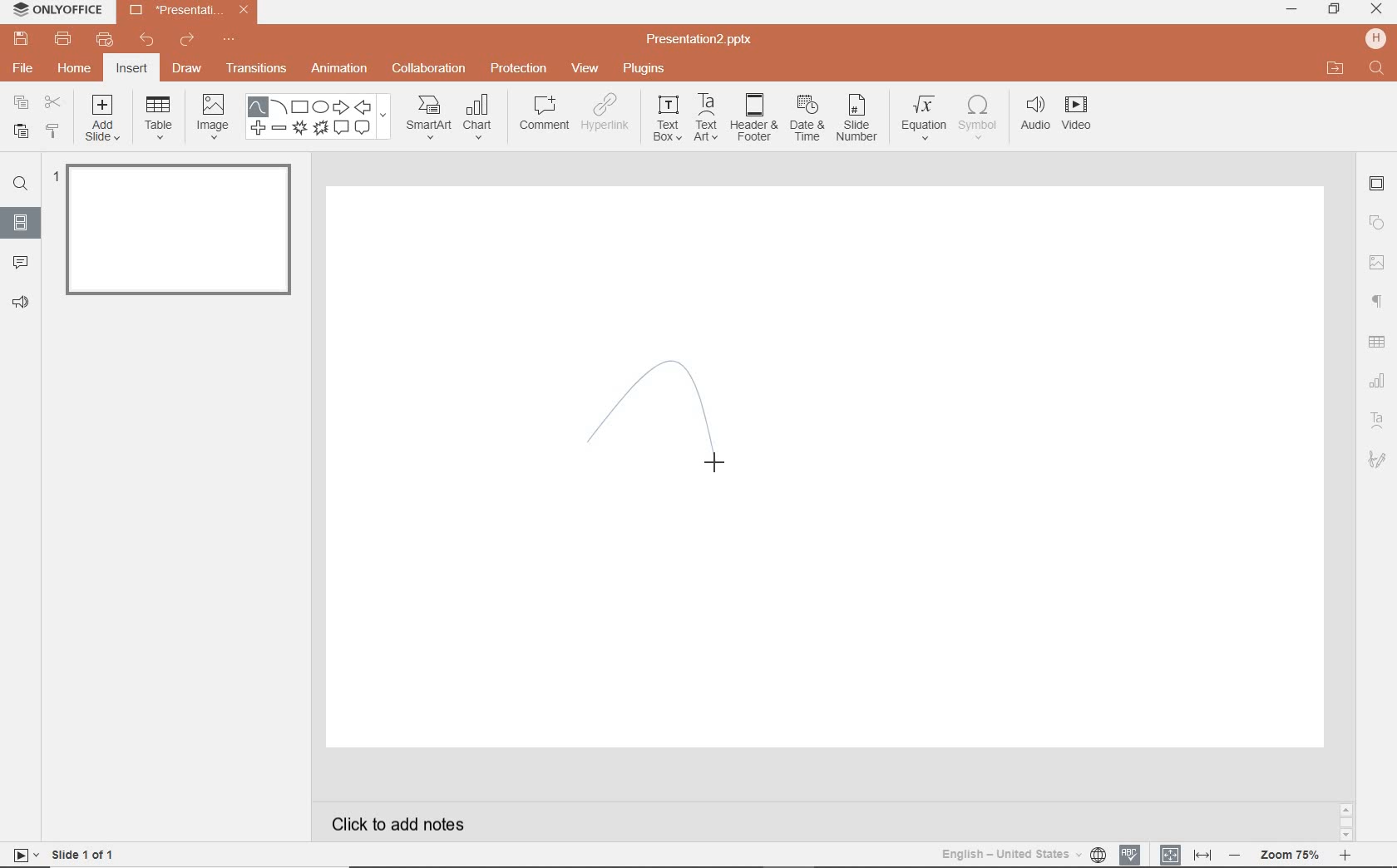  What do you see at coordinates (649, 424) in the screenshot?
I see `drawing curve` at bounding box center [649, 424].